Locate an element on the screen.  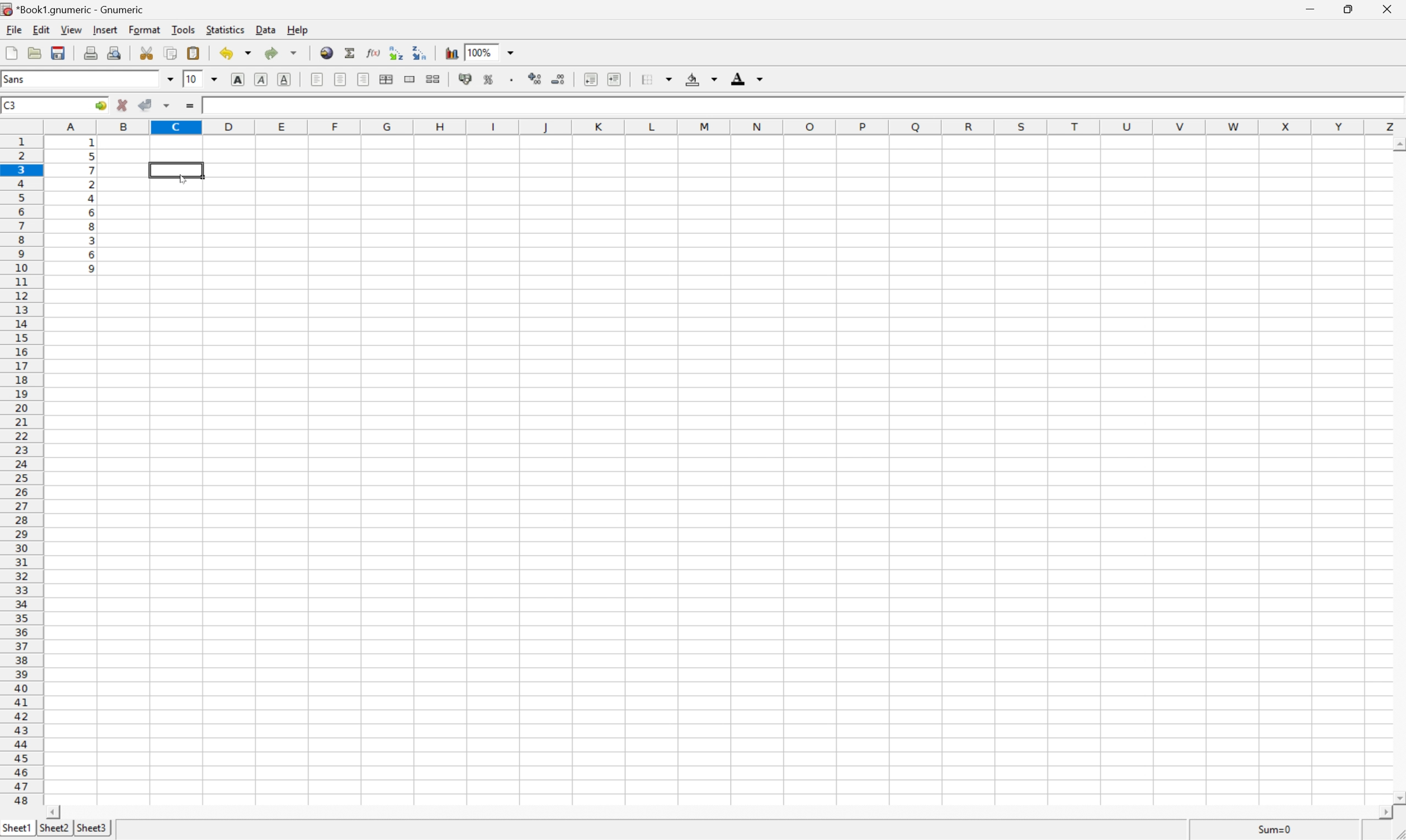
format selection as accounting is located at coordinates (466, 78).